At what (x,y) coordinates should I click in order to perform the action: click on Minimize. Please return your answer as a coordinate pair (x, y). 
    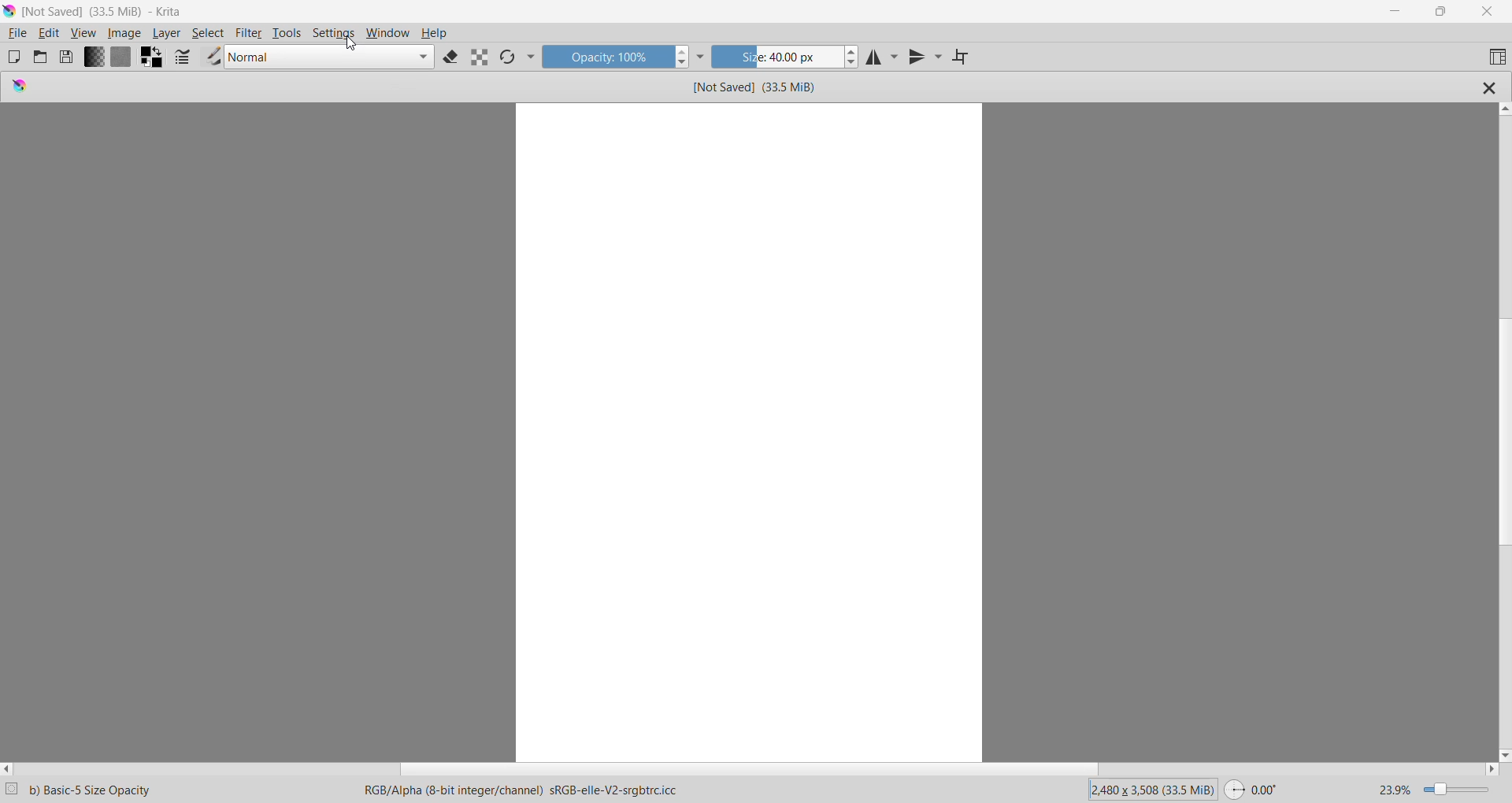
    Looking at the image, I should click on (1397, 9).